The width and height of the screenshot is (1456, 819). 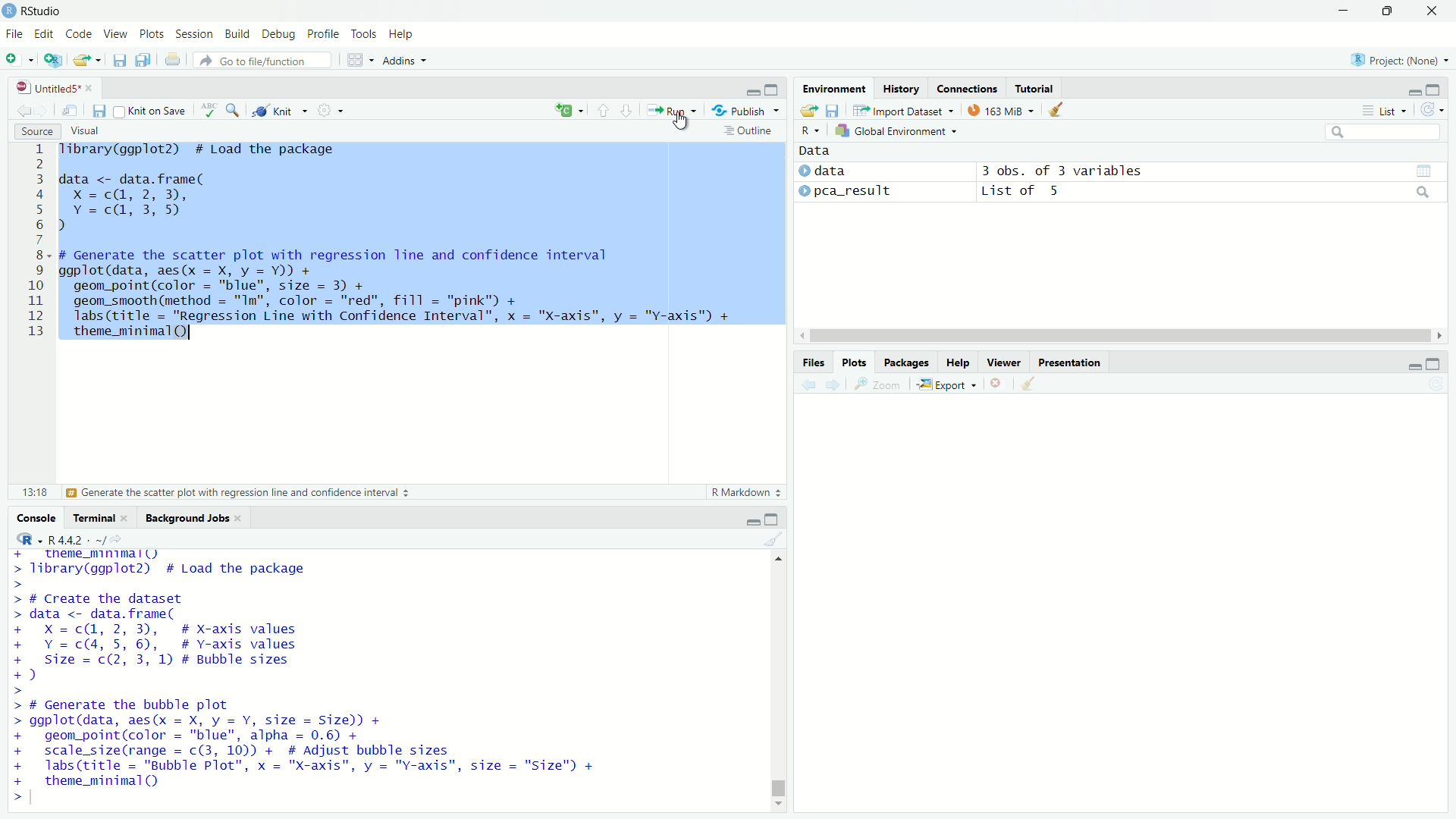 What do you see at coordinates (772, 539) in the screenshot?
I see `Clear console` at bounding box center [772, 539].